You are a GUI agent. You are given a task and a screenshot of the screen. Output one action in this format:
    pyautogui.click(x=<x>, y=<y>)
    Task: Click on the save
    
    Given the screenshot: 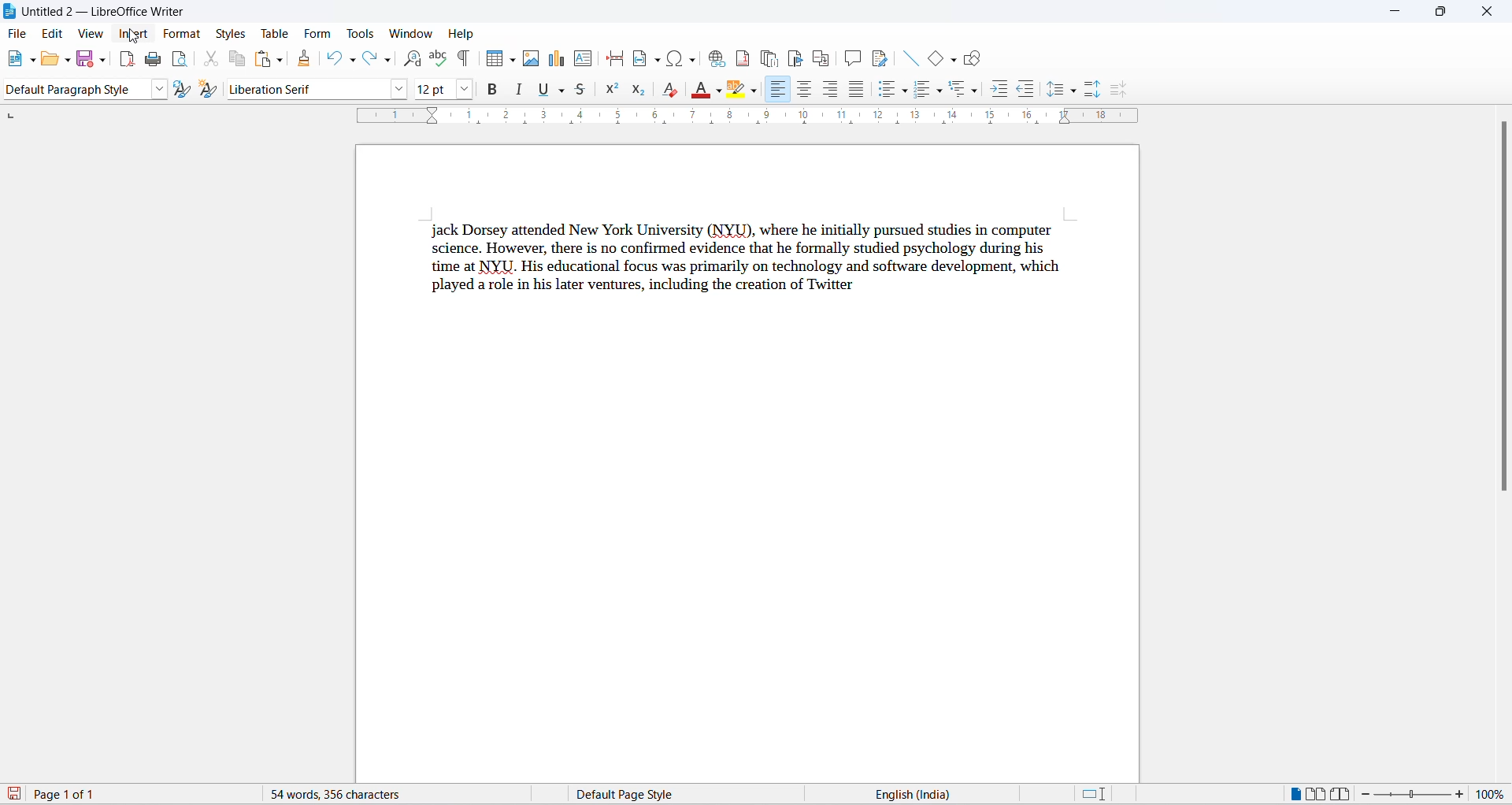 What is the action you would take?
    pyautogui.click(x=85, y=61)
    